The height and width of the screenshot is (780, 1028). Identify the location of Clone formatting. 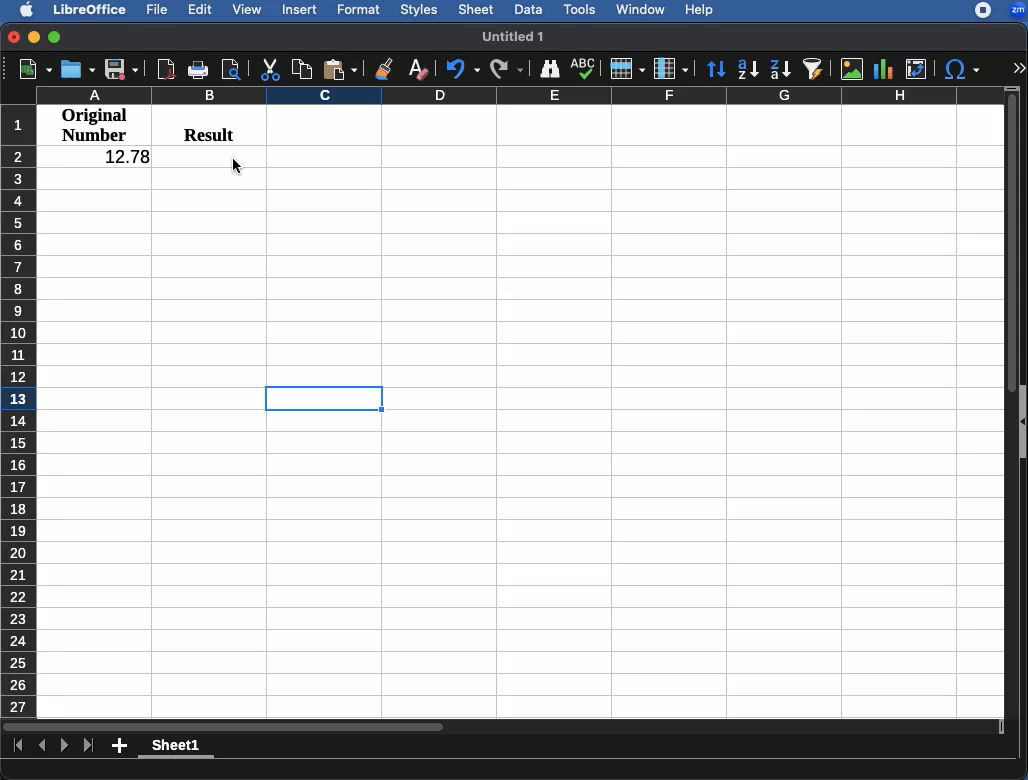
(382, 69).